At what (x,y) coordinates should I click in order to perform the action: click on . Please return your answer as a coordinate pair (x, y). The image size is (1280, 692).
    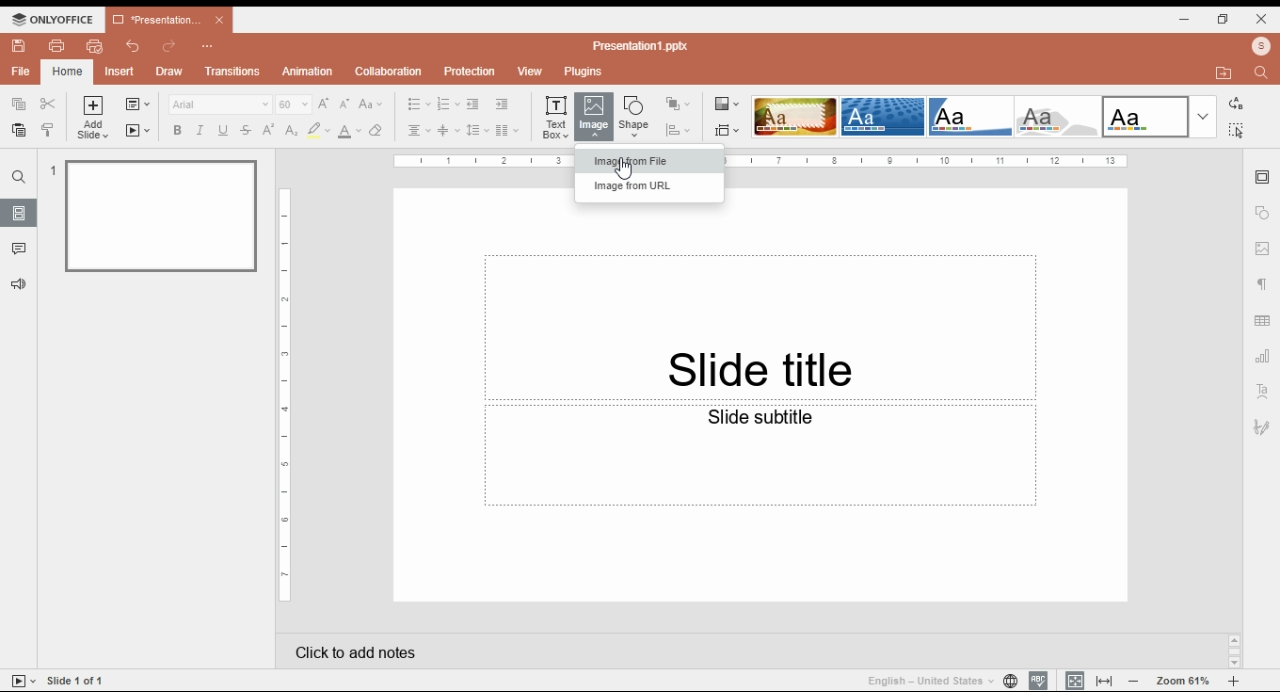
    Looking at the image, I should click on (1261, 427).